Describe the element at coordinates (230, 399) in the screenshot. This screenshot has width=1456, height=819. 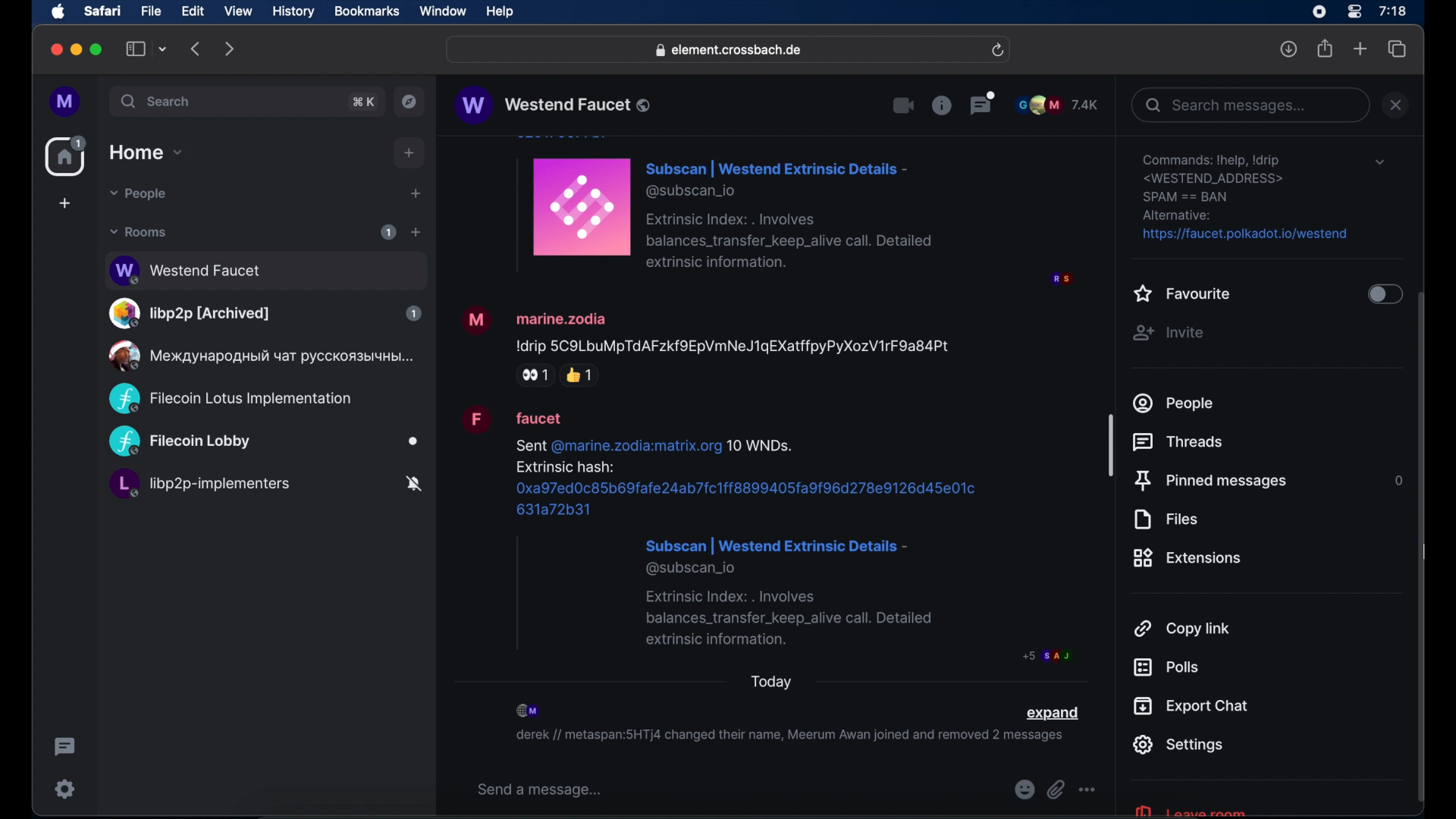
I see `public room` at that location.